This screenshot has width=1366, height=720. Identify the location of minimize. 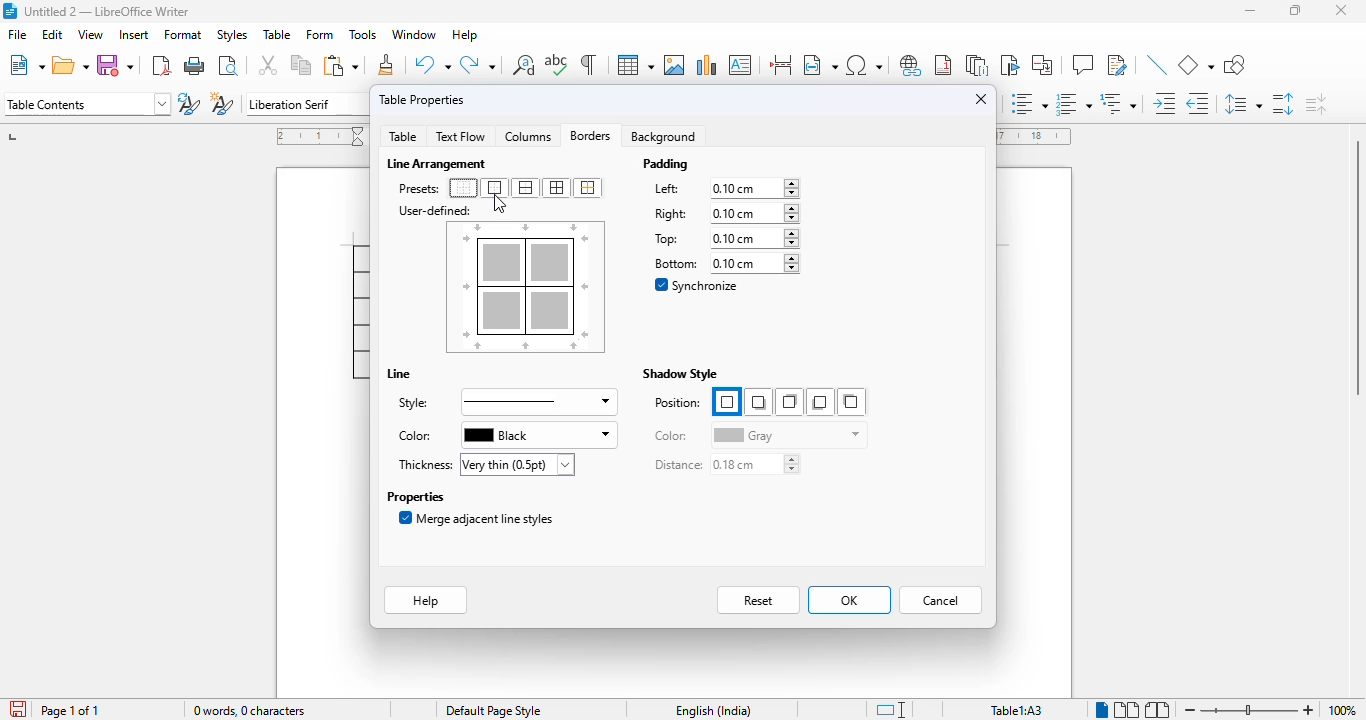
(1250, 10).